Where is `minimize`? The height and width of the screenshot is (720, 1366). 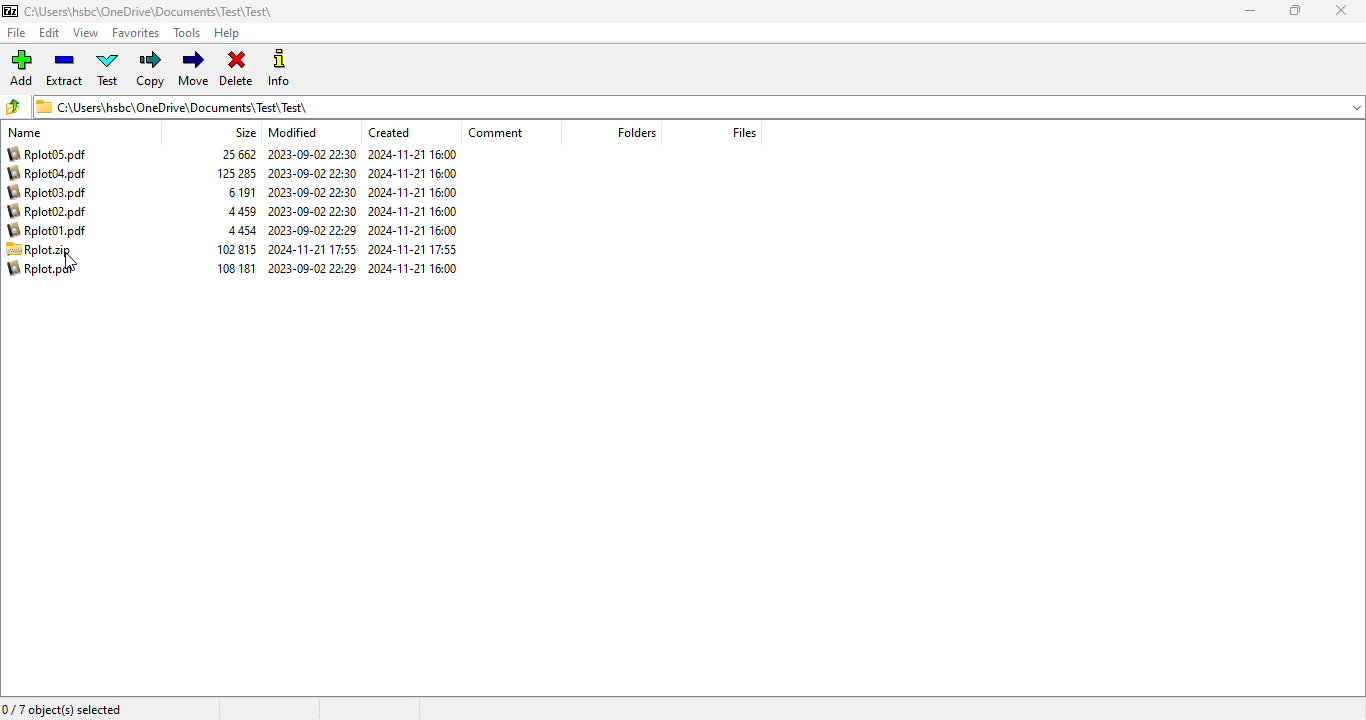 minimize is located at coordinates (1249, 11).